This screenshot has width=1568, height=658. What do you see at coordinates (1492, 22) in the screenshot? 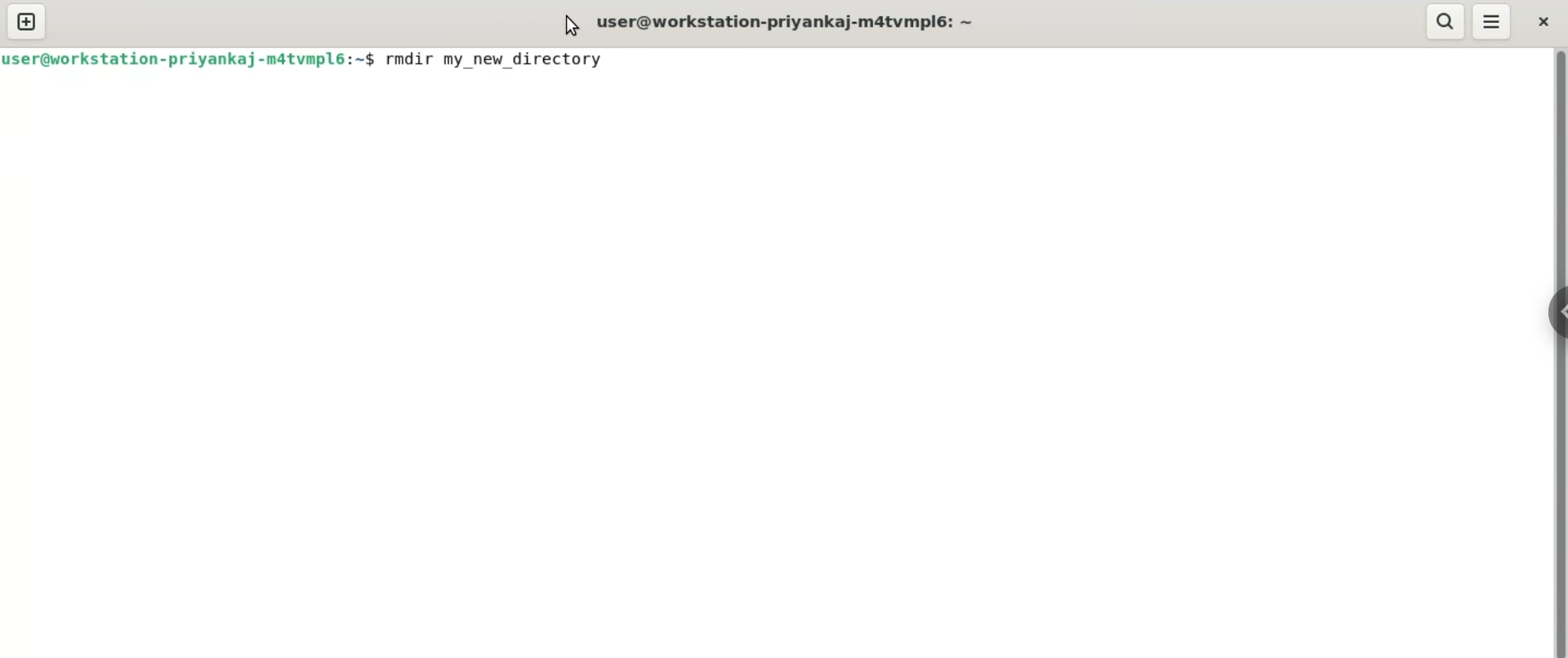
I see `menu` at bounding box center [1492, 22].